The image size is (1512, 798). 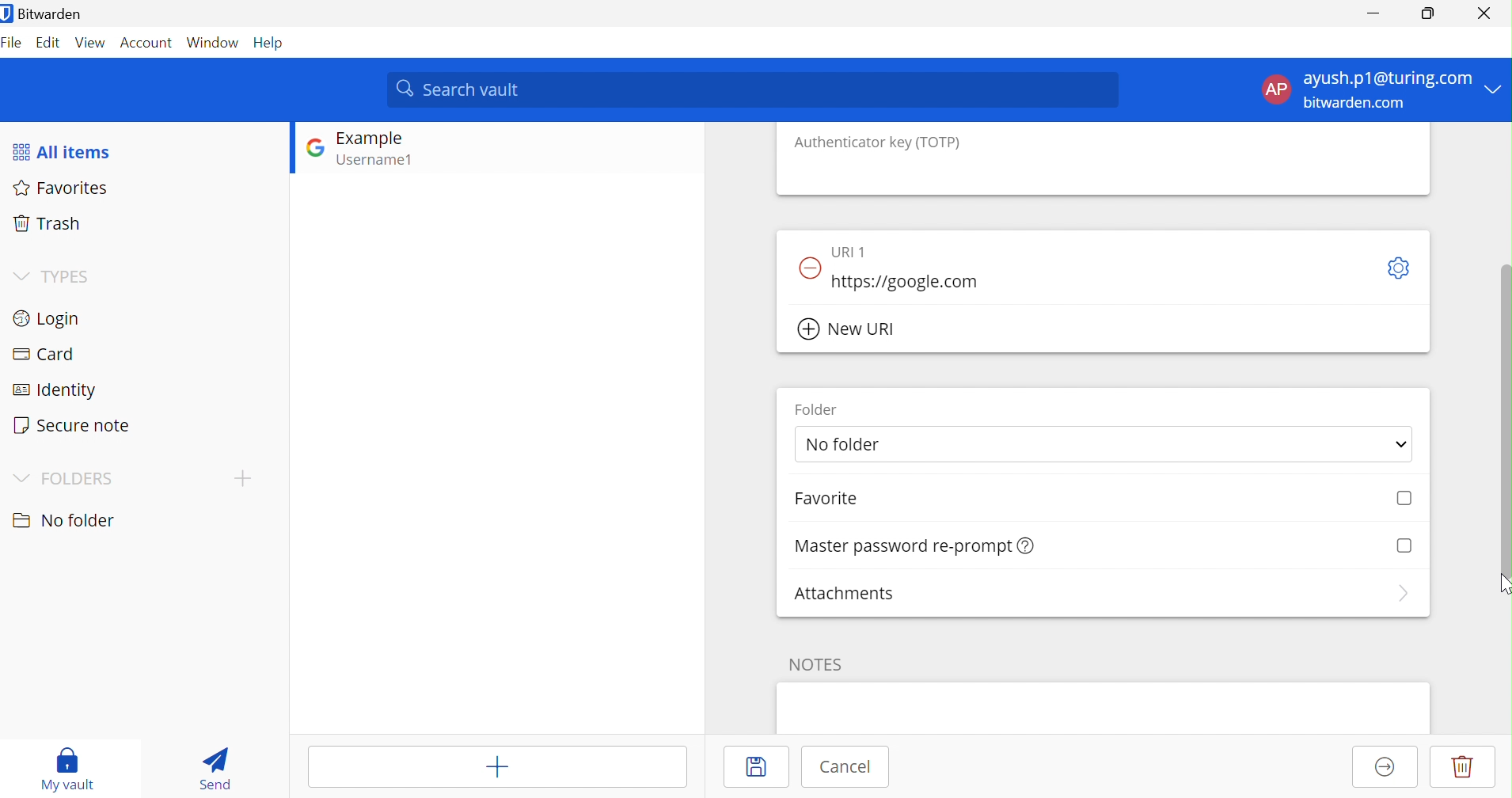 I want to click on Window, so click(x=213, y=42).